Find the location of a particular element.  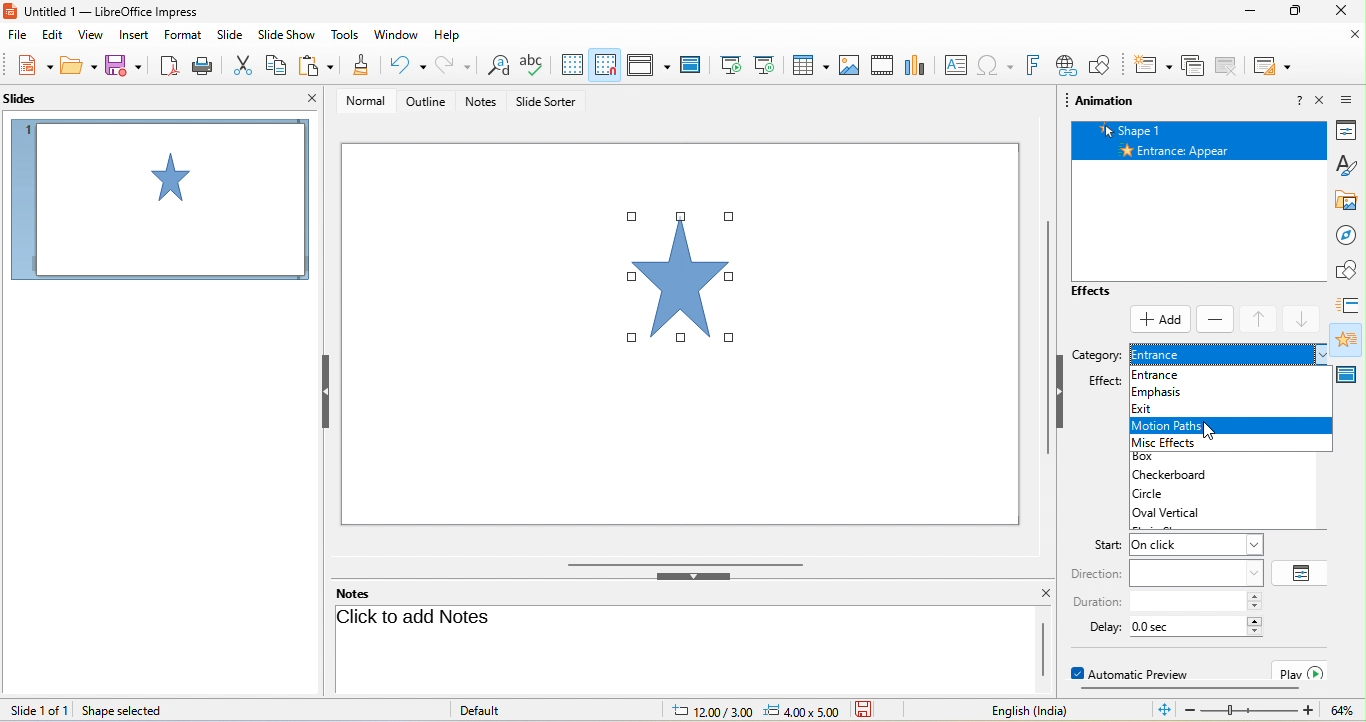

hide is located at coordinates (329, 392).